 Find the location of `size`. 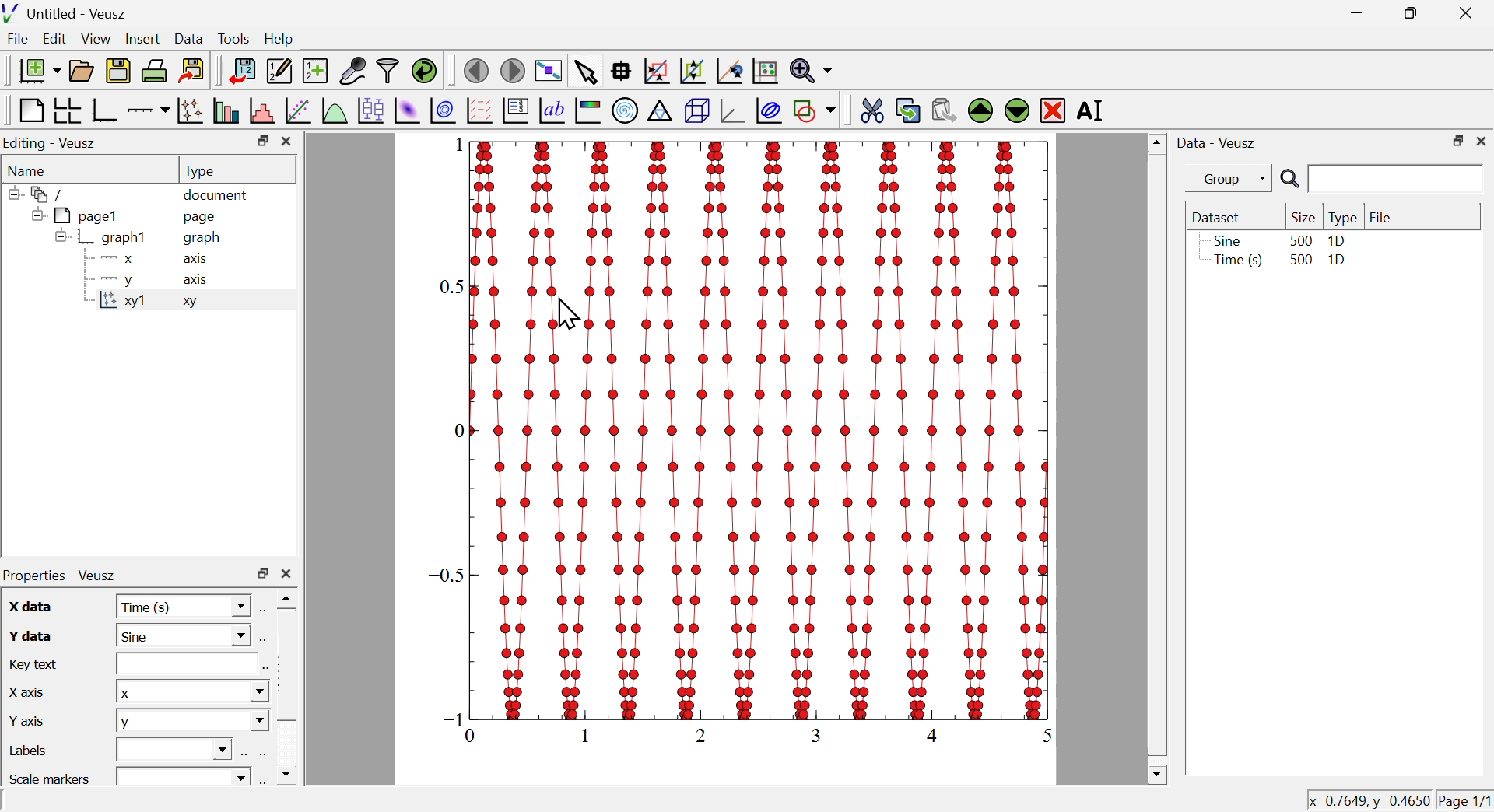

size is located at coordinates (1301, 217).